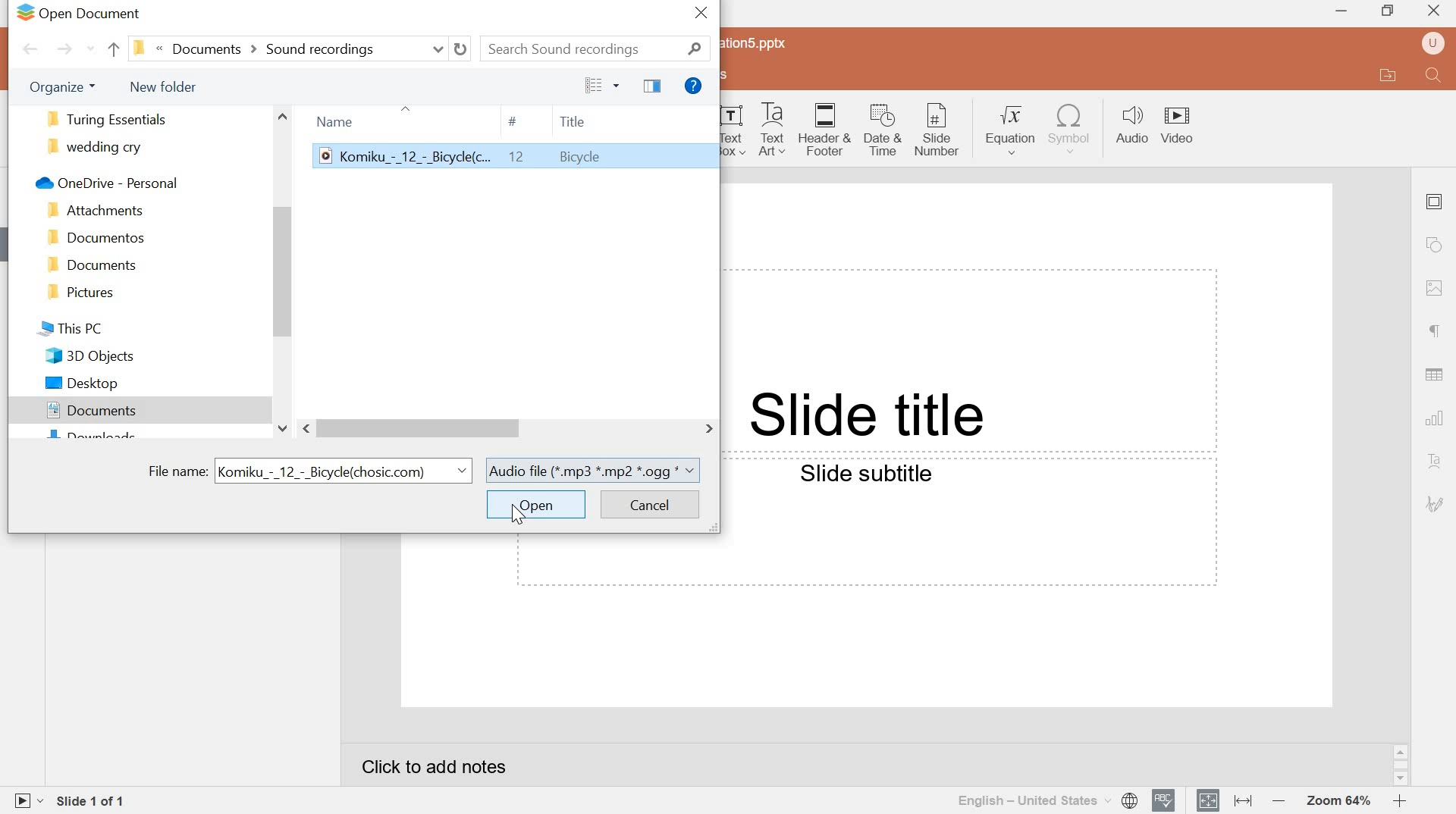 Image resolution: width=1456 pixels, height=814 pixels. Describe the element at coordinates (83, 293) in the screenshot. I see `pictures folder` at that location.